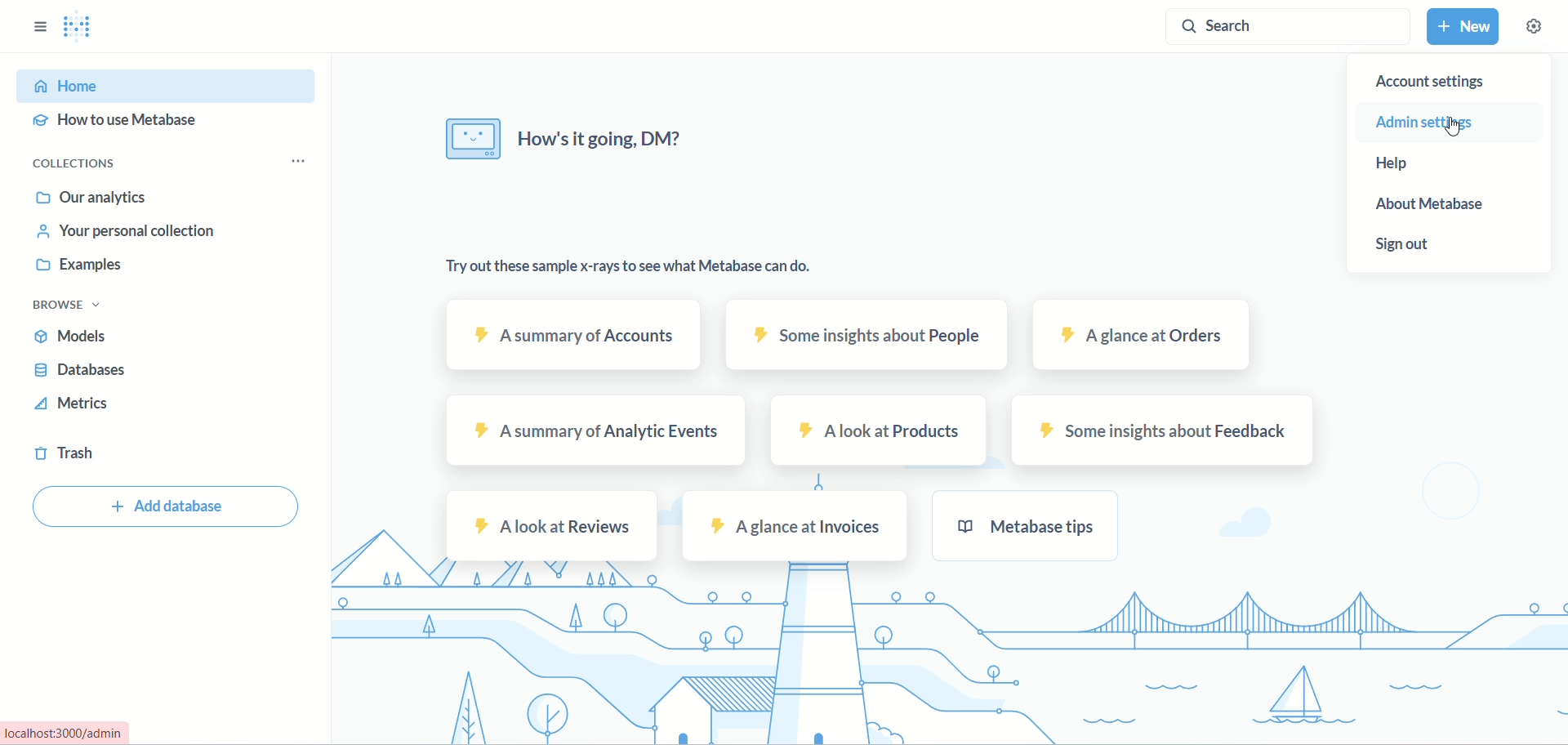  What do you see at coordinates (70, 335) in the screenshot?
I see `models` at bounding box center [70, 335].